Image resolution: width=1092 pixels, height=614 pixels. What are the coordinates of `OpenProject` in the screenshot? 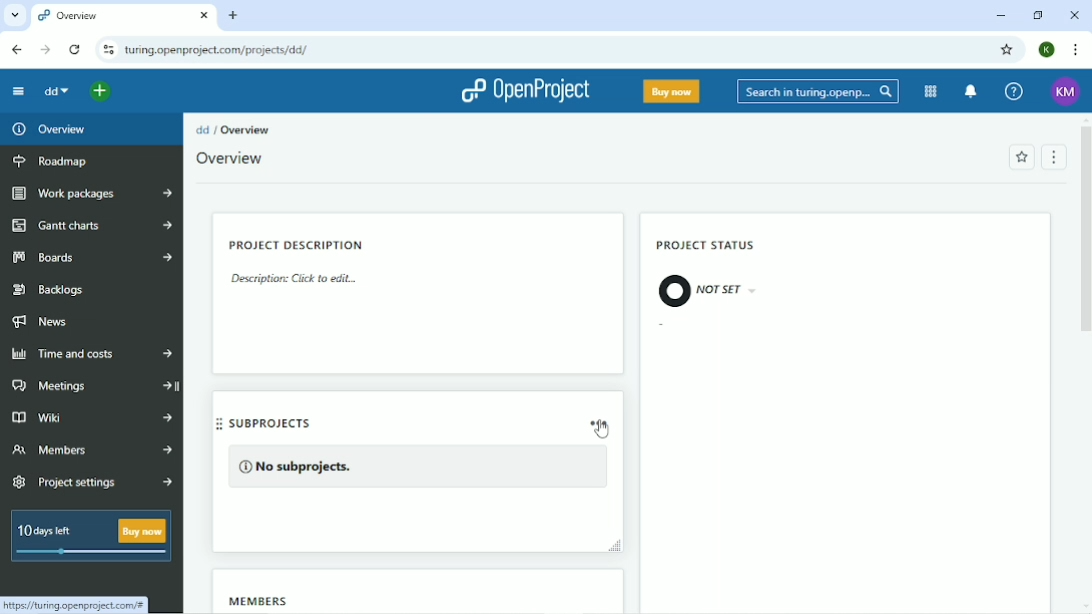 It's located at (522, 92).